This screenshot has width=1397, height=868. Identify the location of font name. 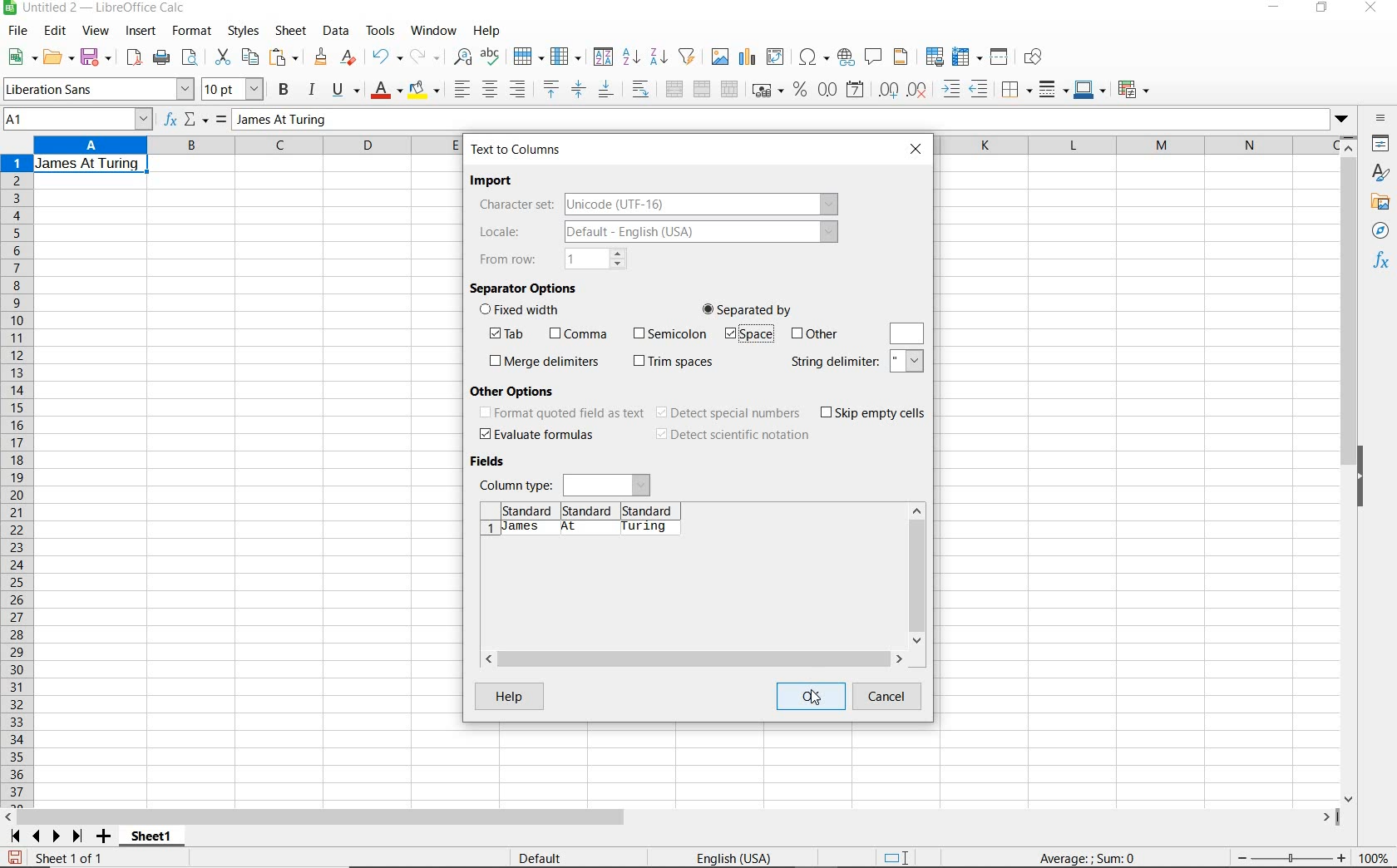
(98, 89).